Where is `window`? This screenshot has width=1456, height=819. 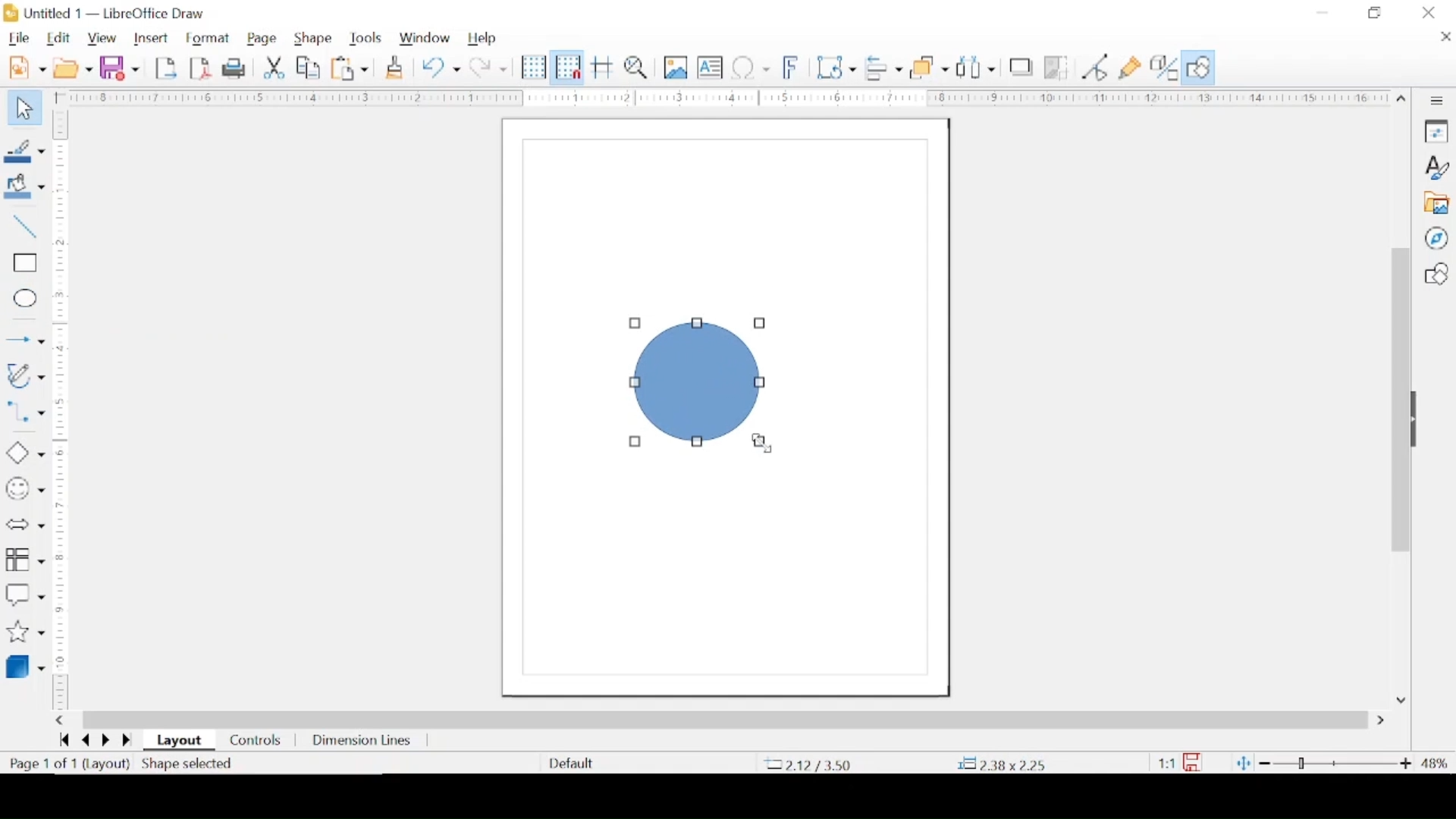 window is located at coordinates (425, 39).